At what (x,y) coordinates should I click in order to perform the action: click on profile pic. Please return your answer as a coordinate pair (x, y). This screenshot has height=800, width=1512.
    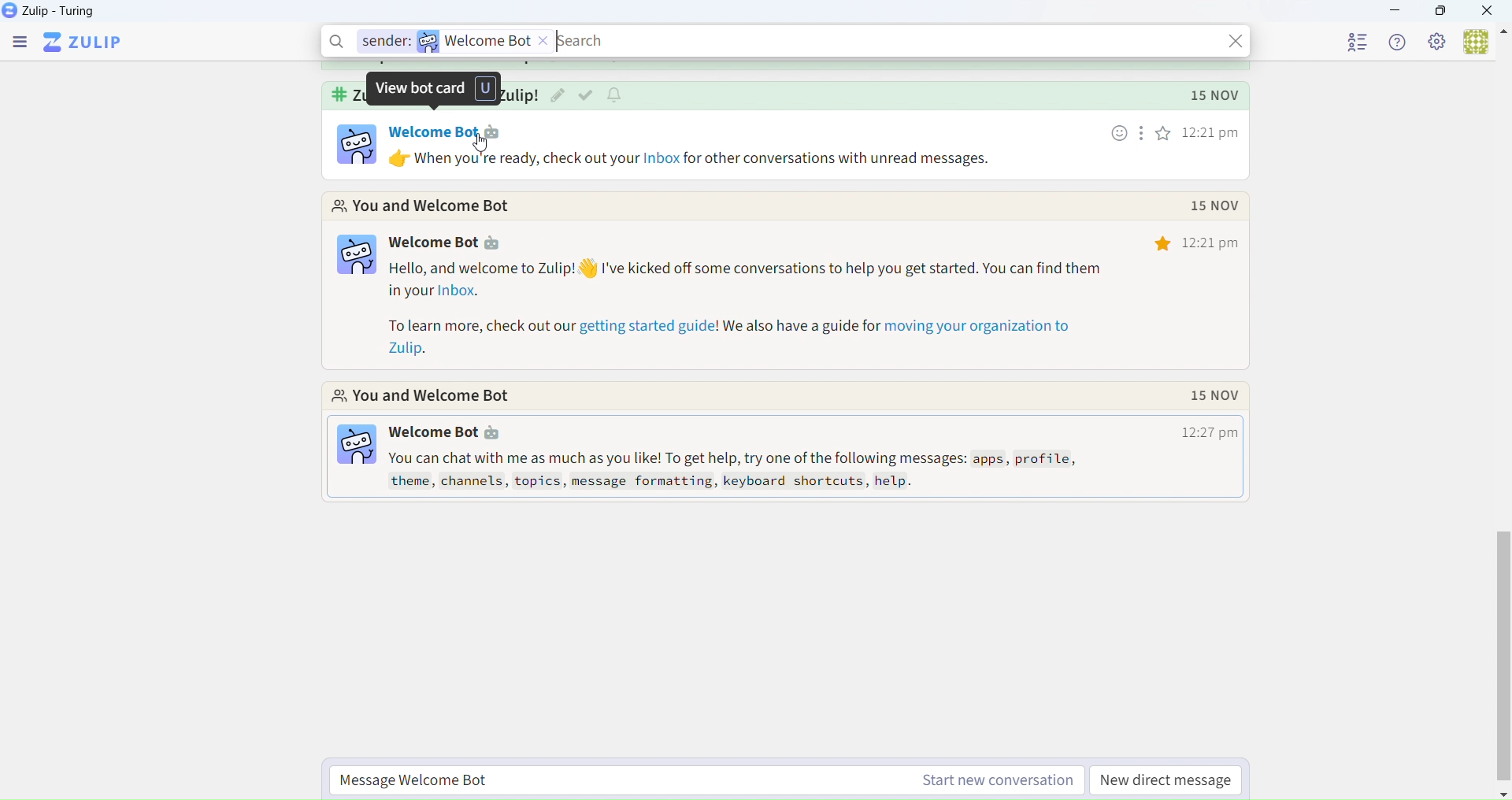
    Looking at the image, I should click on (353, 256).